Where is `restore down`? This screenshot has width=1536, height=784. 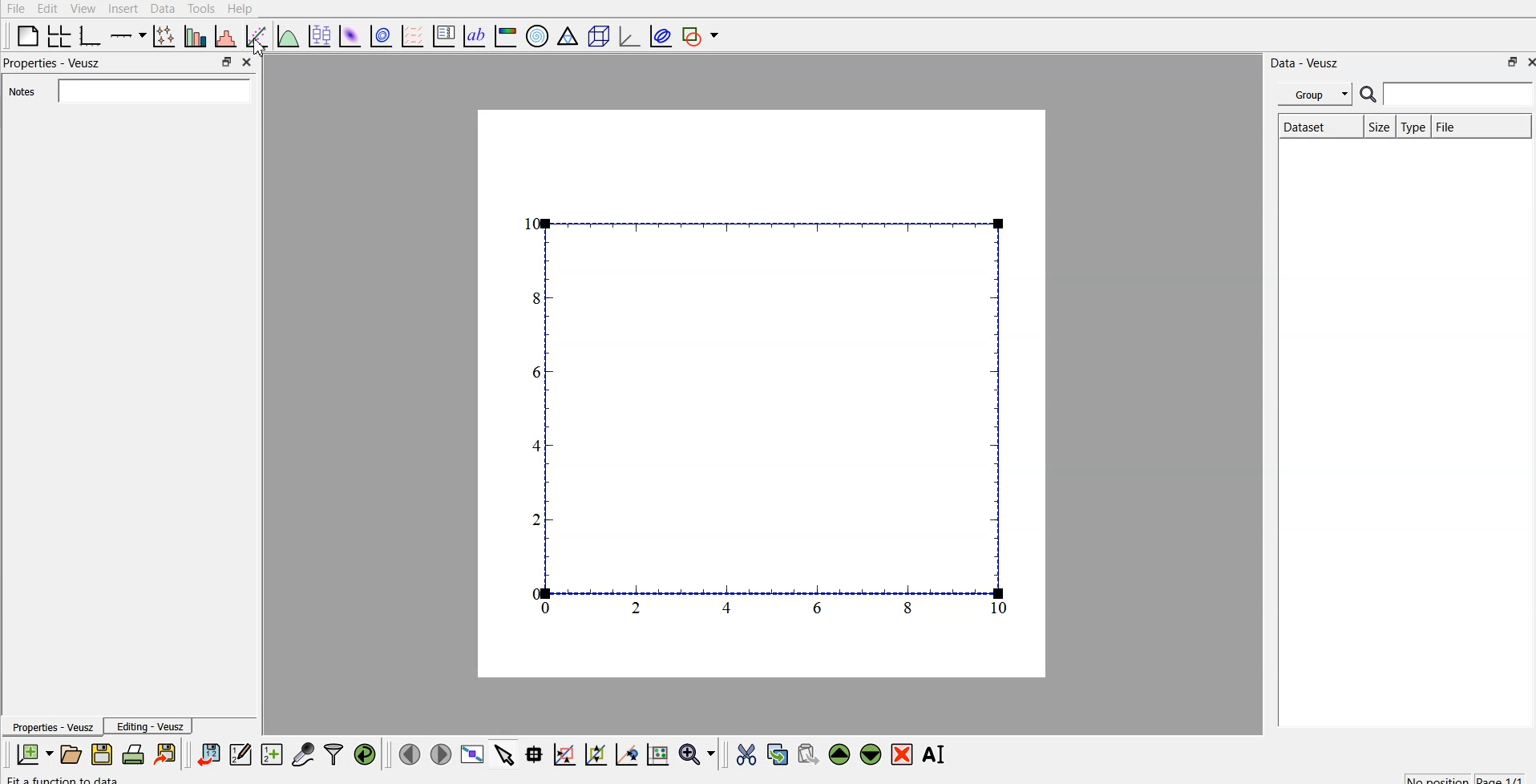 restore down is located at coordinates (1506, 65).